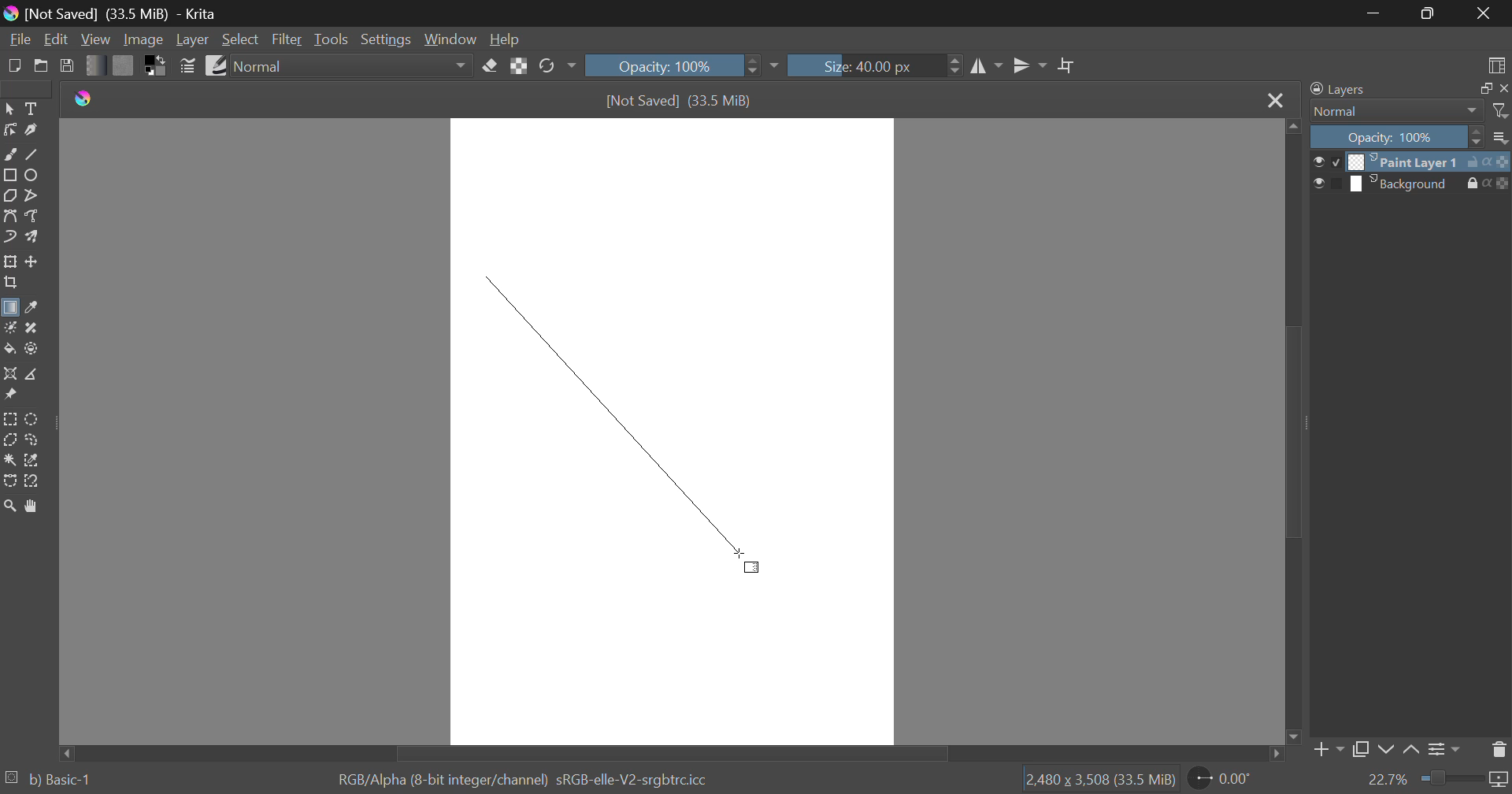 This screenshot has height=794, width=1512. I want to click on Line, so click(32, 153).